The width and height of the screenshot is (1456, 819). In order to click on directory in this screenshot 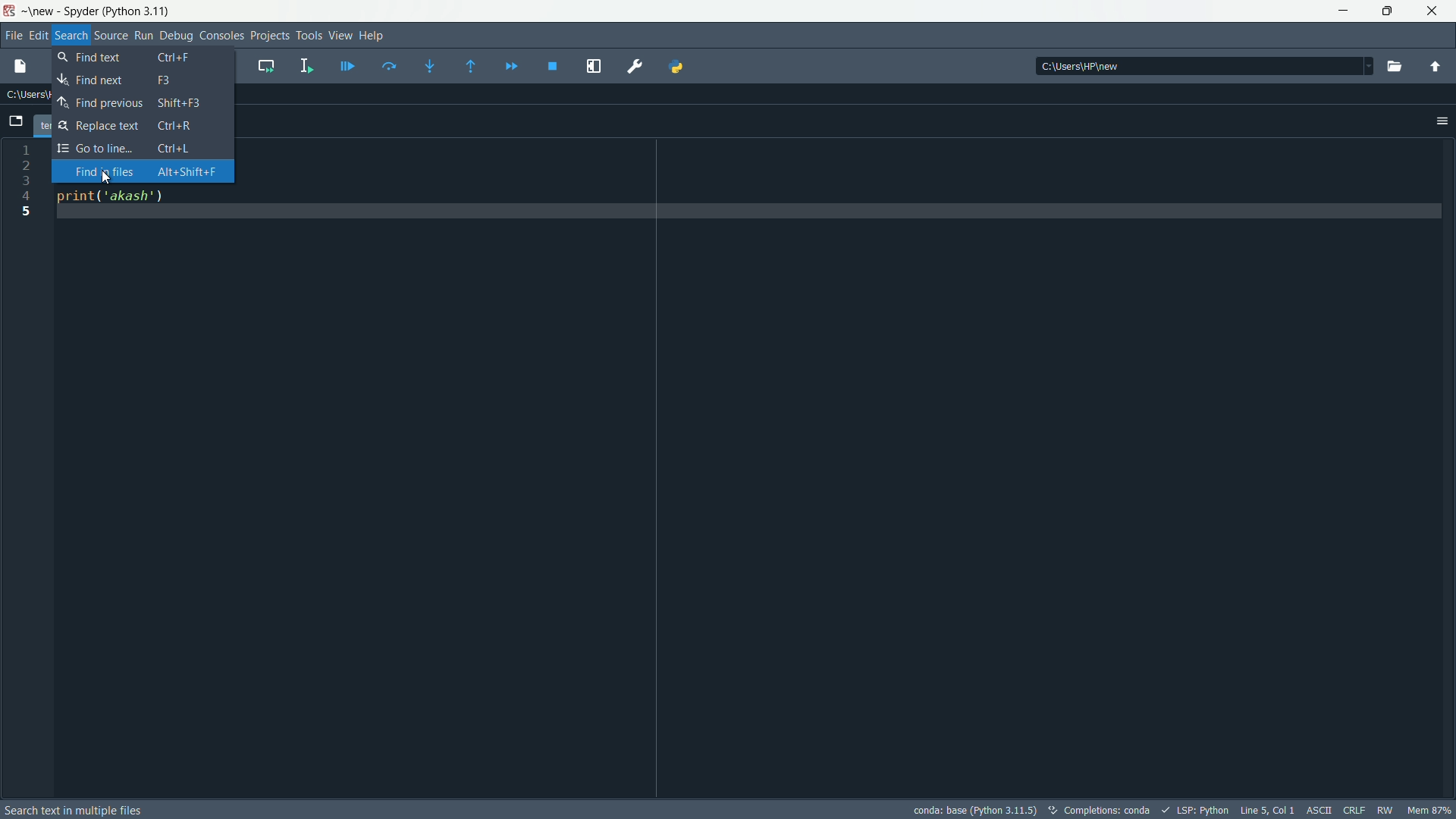, I will do `click(1204, 65)`.